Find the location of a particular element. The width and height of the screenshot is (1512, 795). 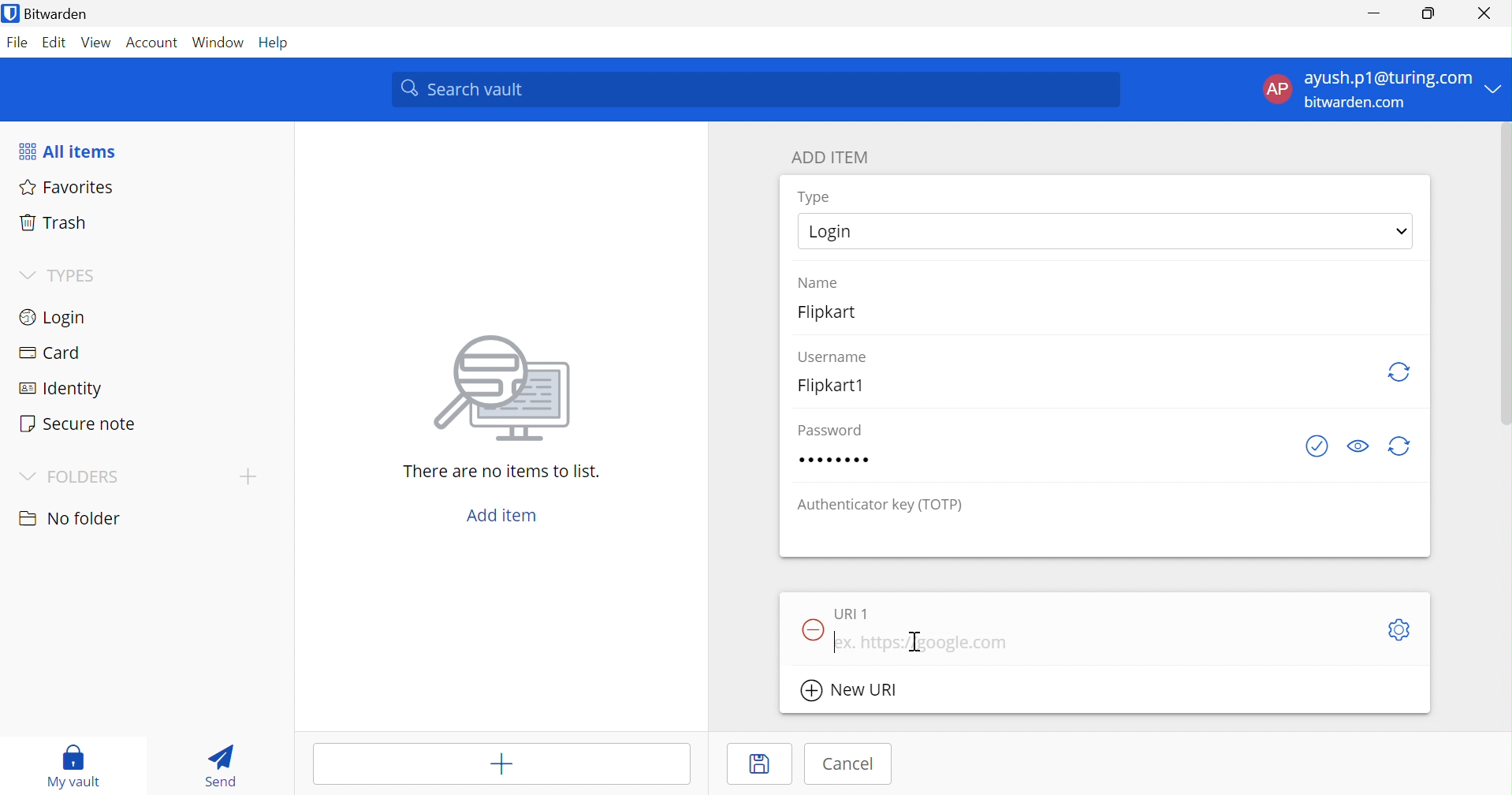

Trash is located at coordinates (50, 223).